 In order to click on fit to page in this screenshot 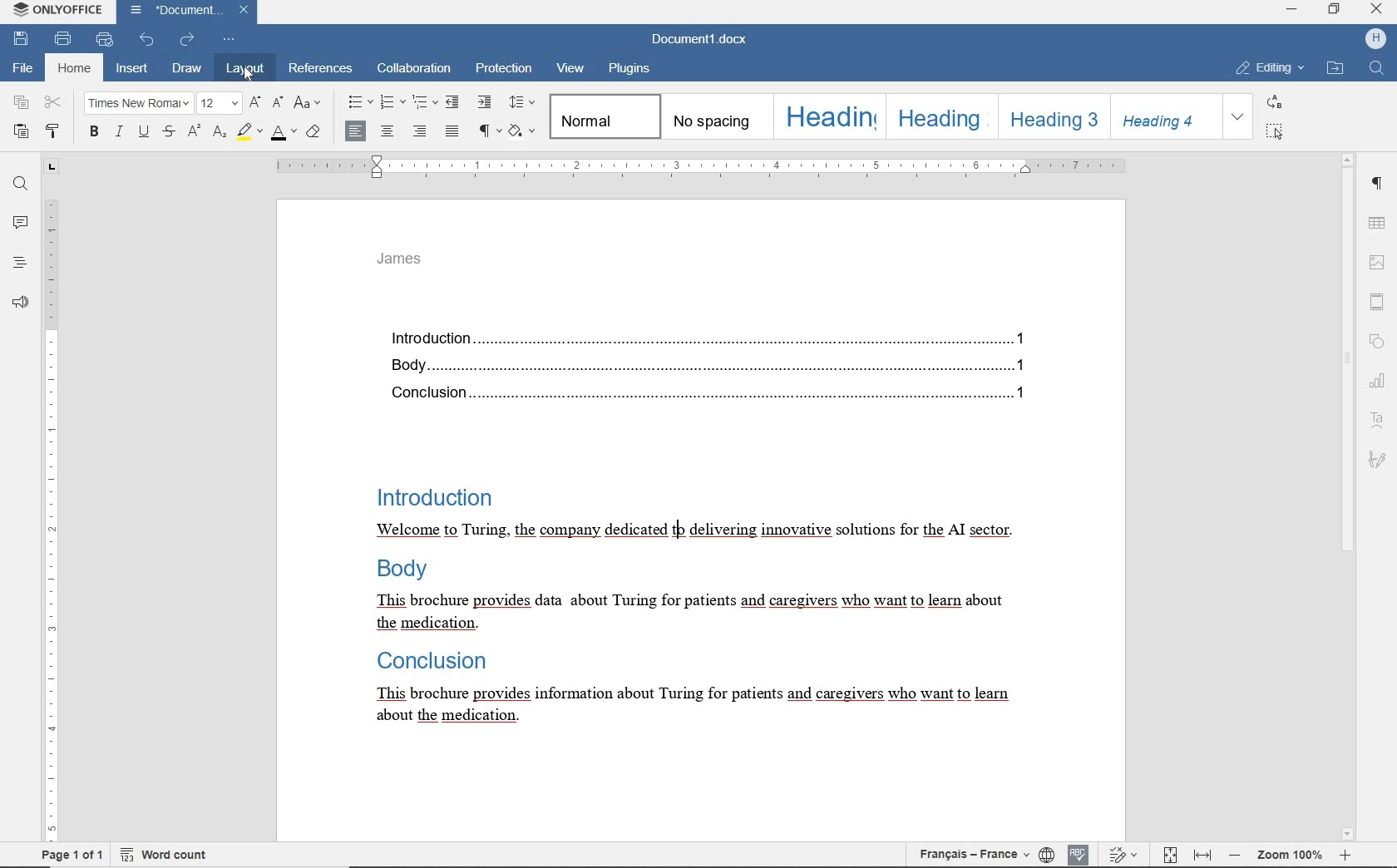, I will do `click(1170, 852)`.